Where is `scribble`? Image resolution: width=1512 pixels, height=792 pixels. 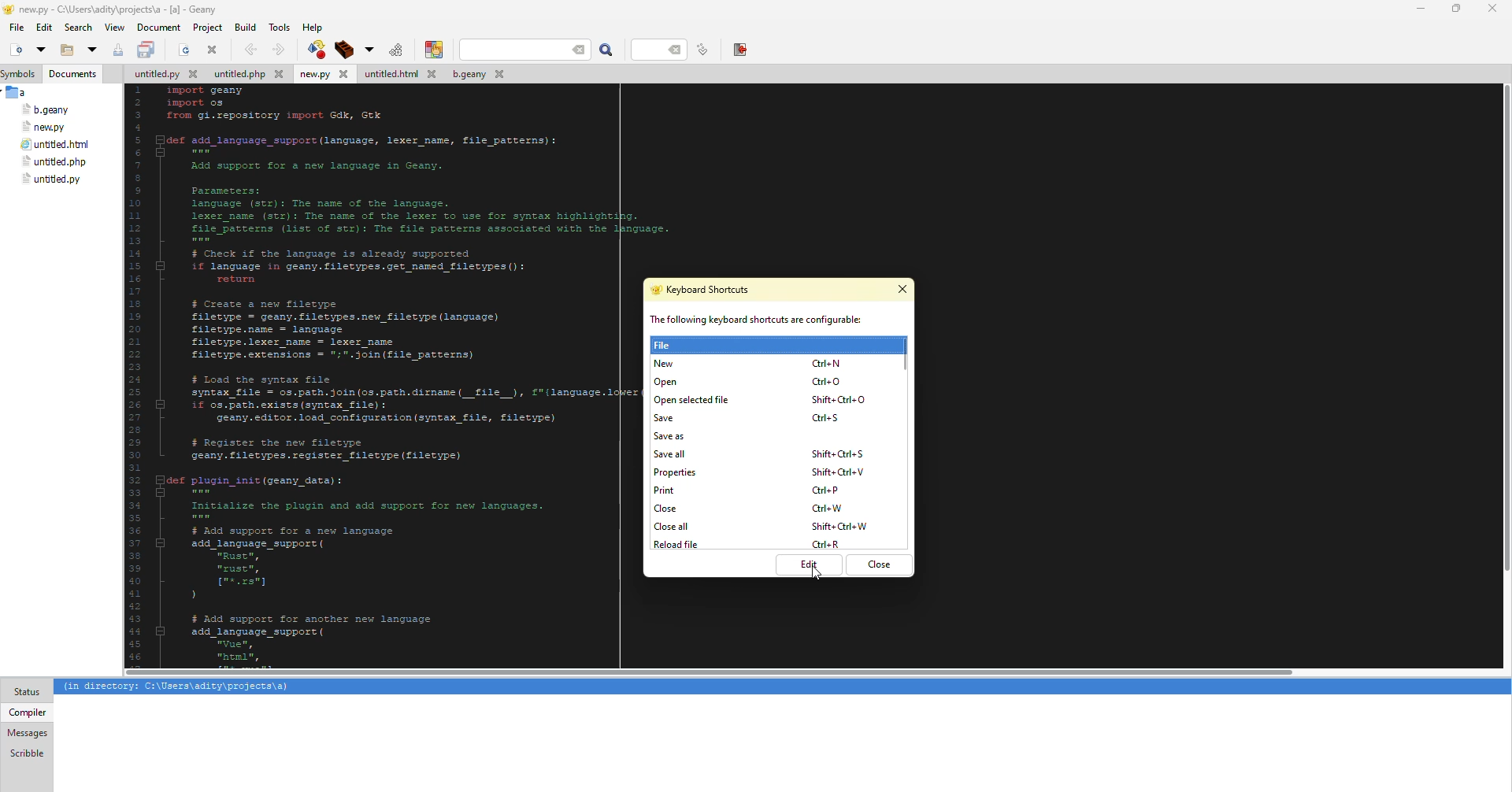 scribble is located at coordinates (25, 753).